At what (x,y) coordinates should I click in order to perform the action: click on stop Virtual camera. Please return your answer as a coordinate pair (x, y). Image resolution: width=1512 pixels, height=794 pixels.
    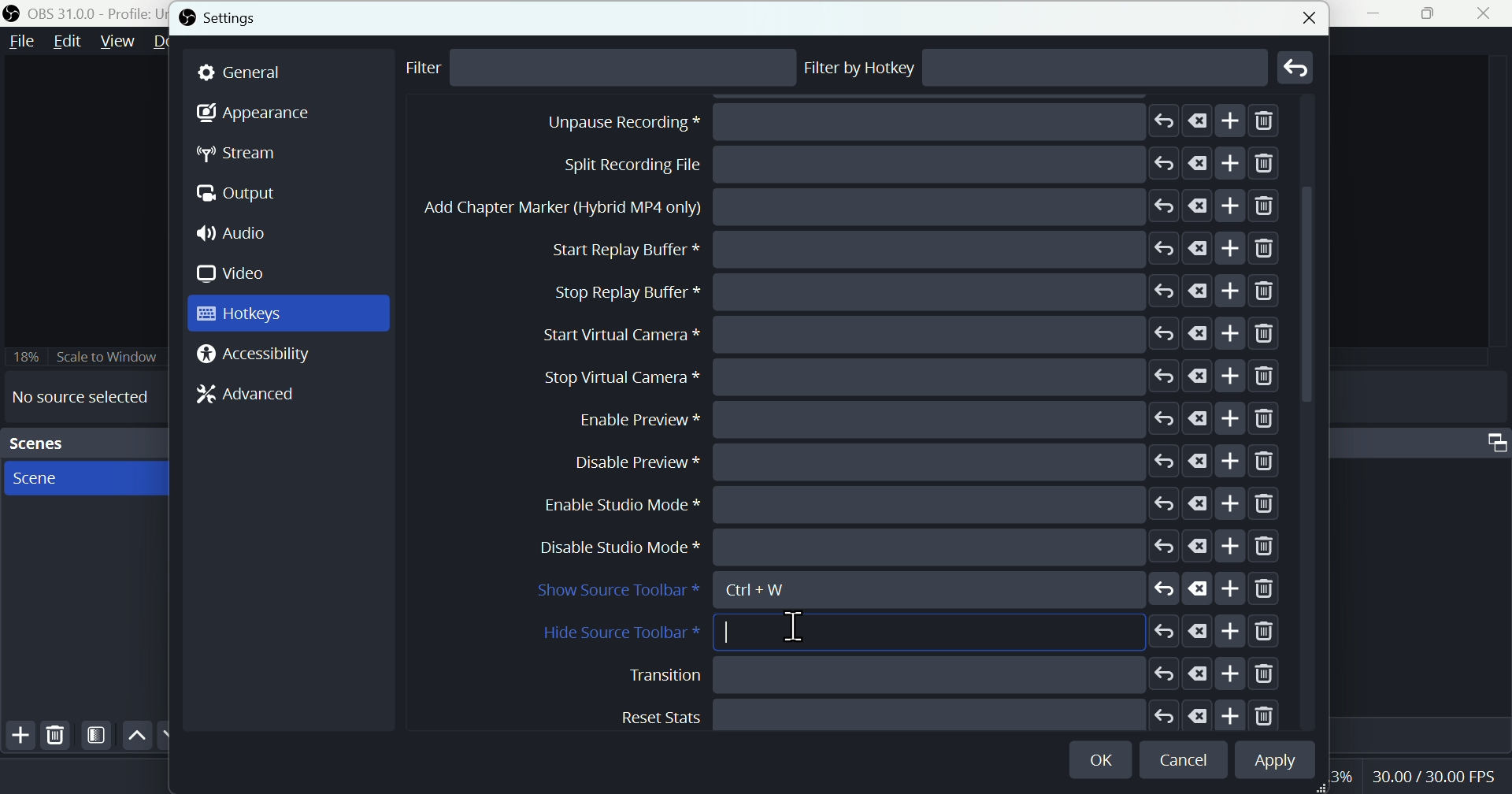
    Looking at the image, I should click on (906, 547).